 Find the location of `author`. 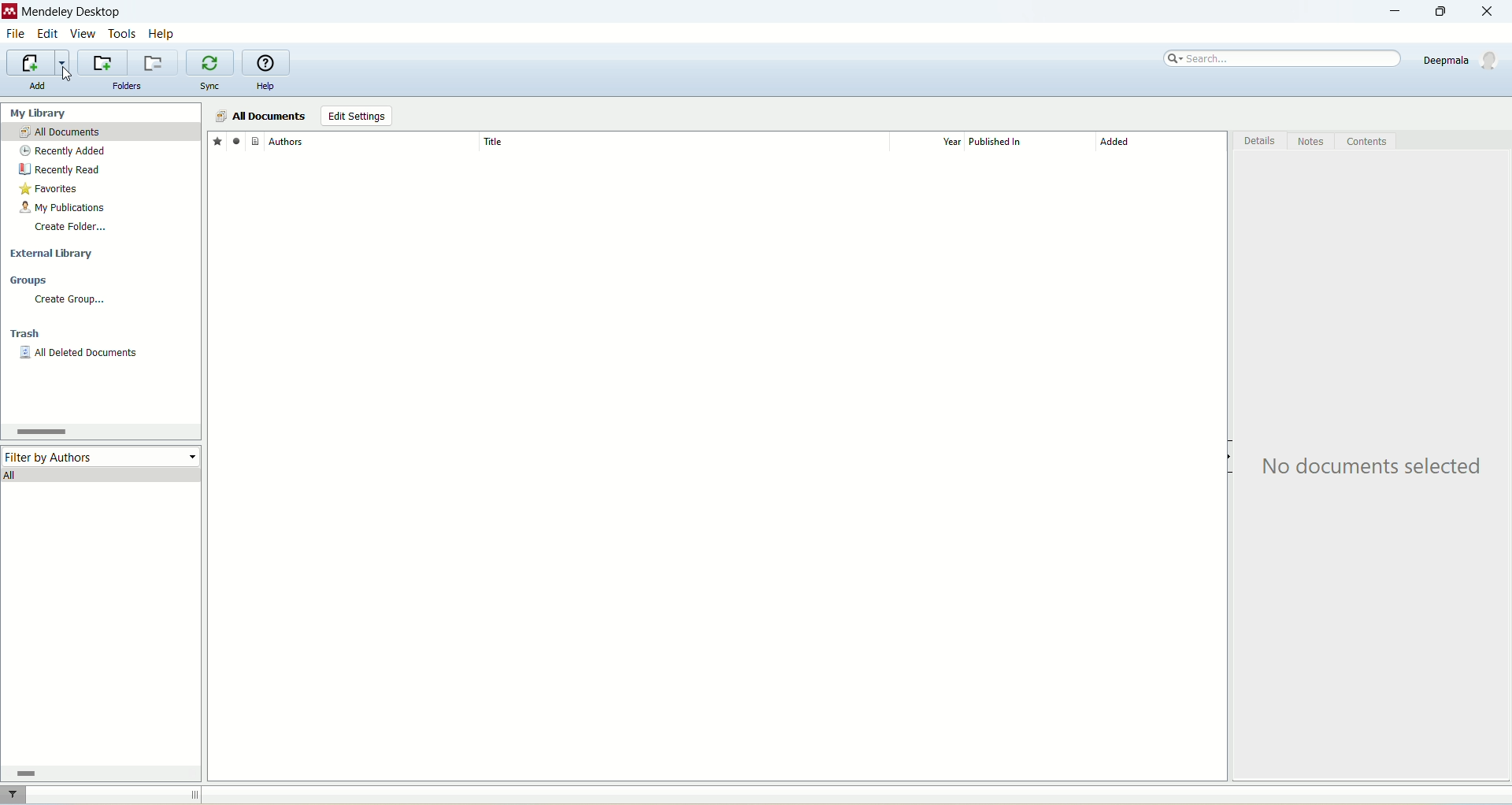

author is located at coordinates (373, 142).